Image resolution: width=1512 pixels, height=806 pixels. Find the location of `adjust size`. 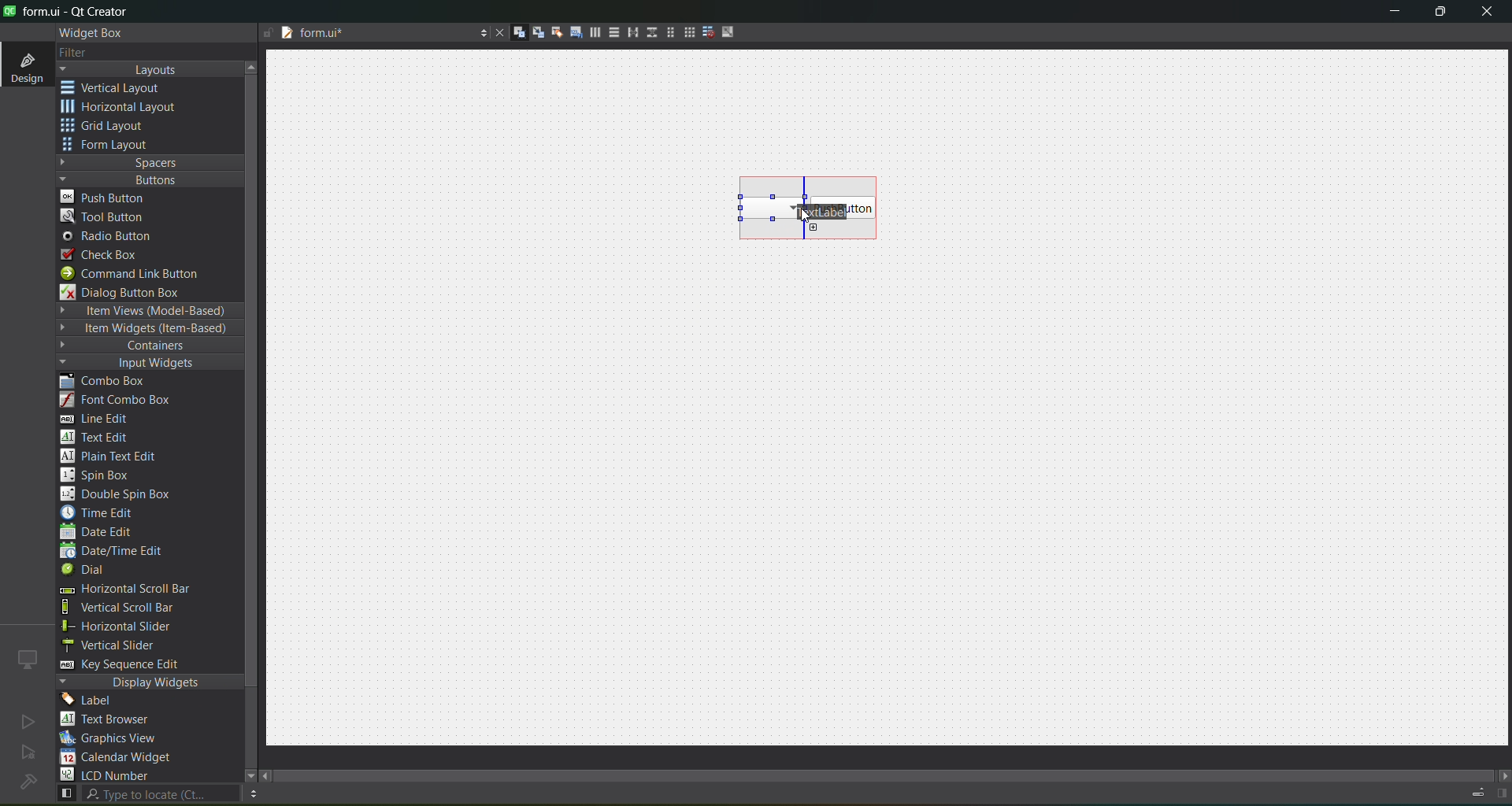

adjust size is located at coordinates (732, 31).